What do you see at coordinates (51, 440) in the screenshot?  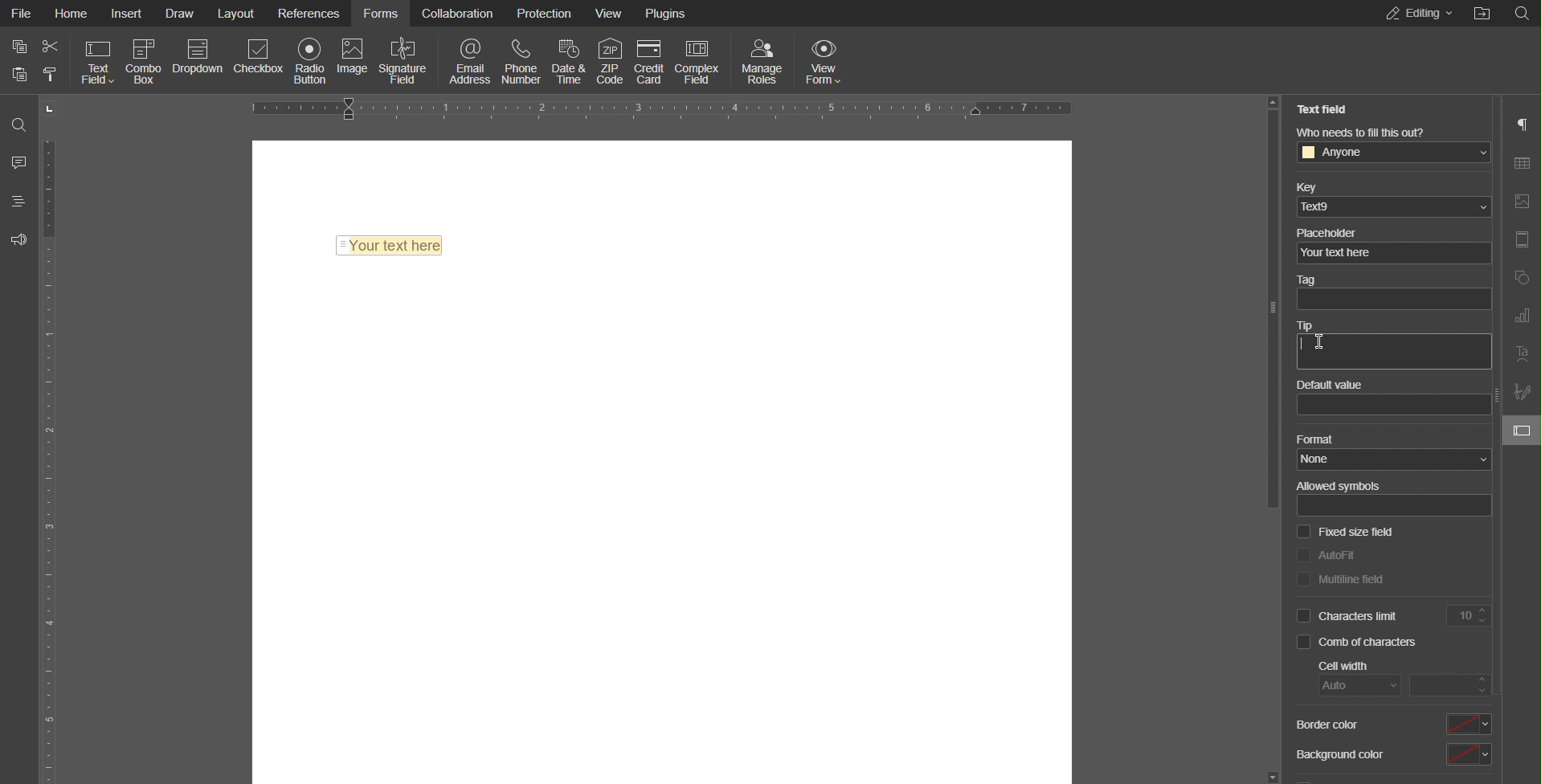 I see `Vertical Ruler` at bounding box center [51, 440].